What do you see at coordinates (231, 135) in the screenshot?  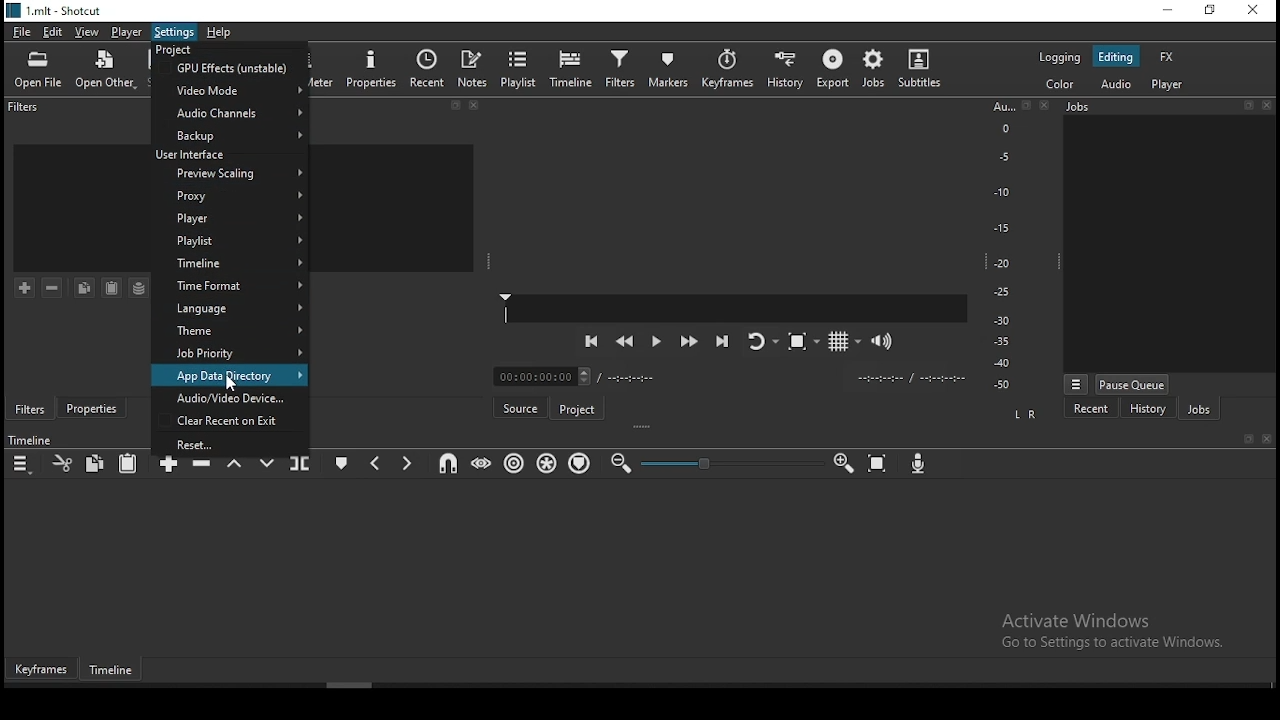 I see `backup` at bounding box center [231, 135].